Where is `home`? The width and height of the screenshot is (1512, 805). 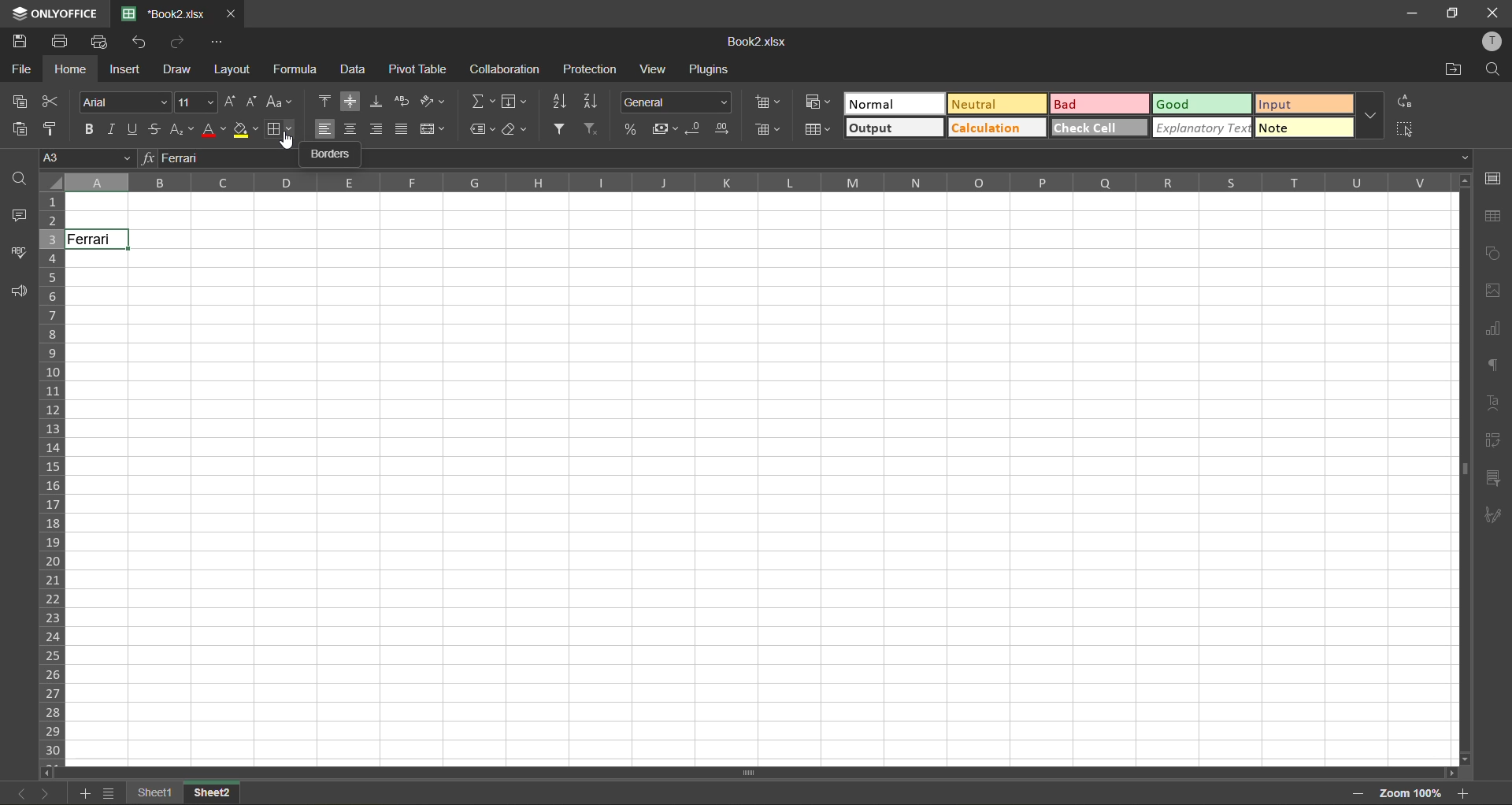 home is located at coordinates (72, 69).